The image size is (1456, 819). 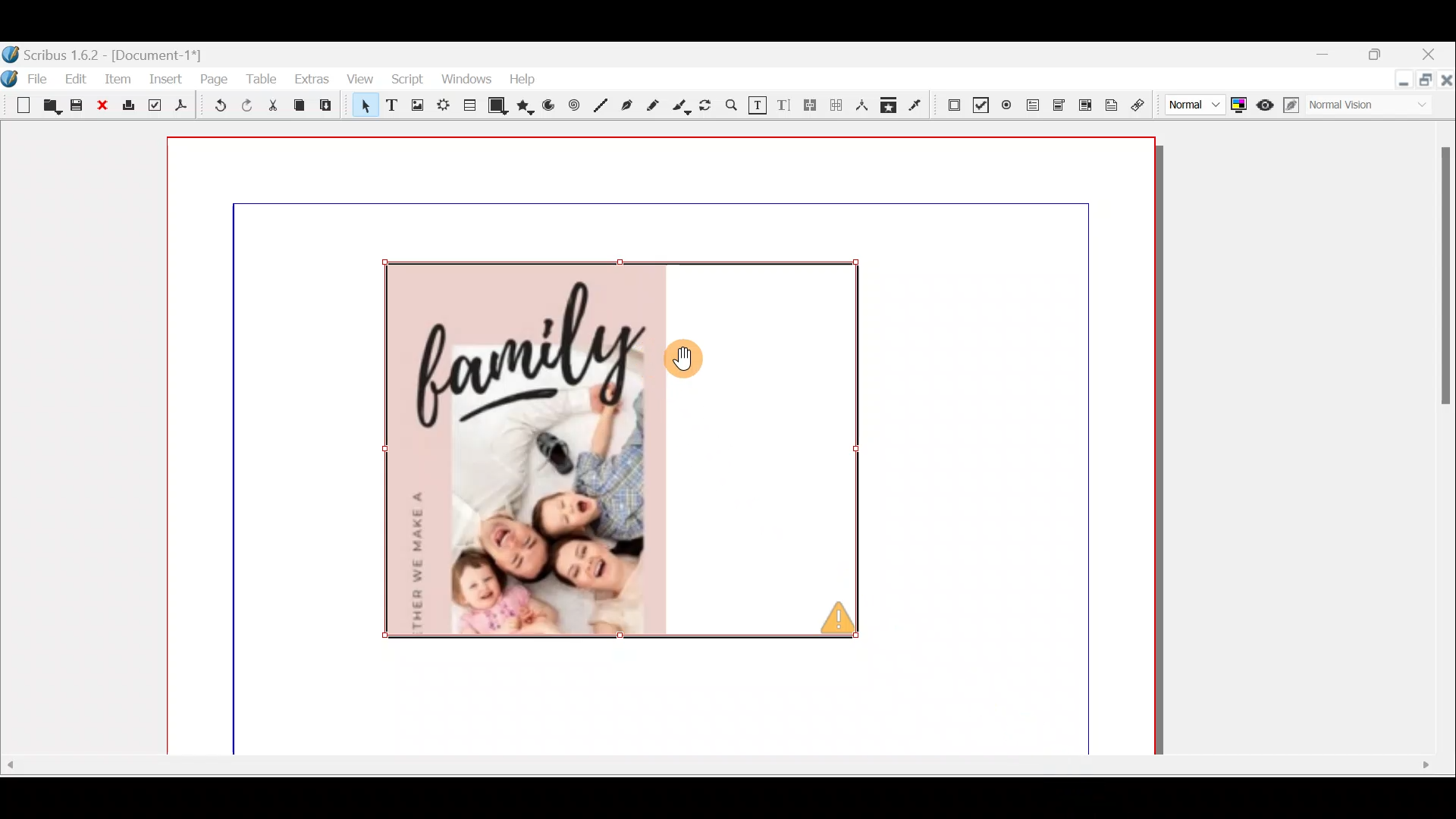 I want to click on Text annotation, so click(x=1112, y=103).